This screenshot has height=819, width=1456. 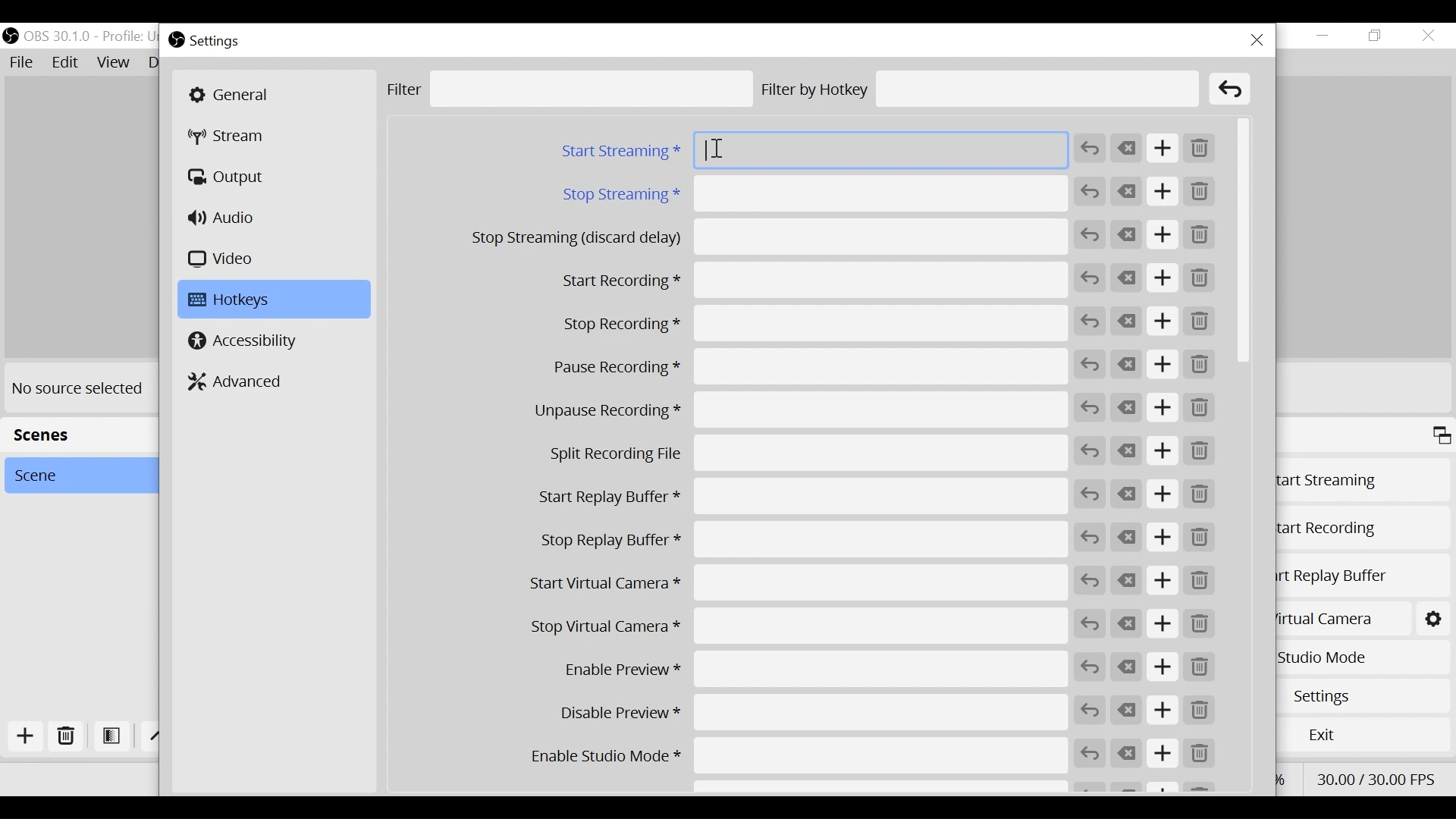 I want to click on OBS Version, so click(x=93, y=37).